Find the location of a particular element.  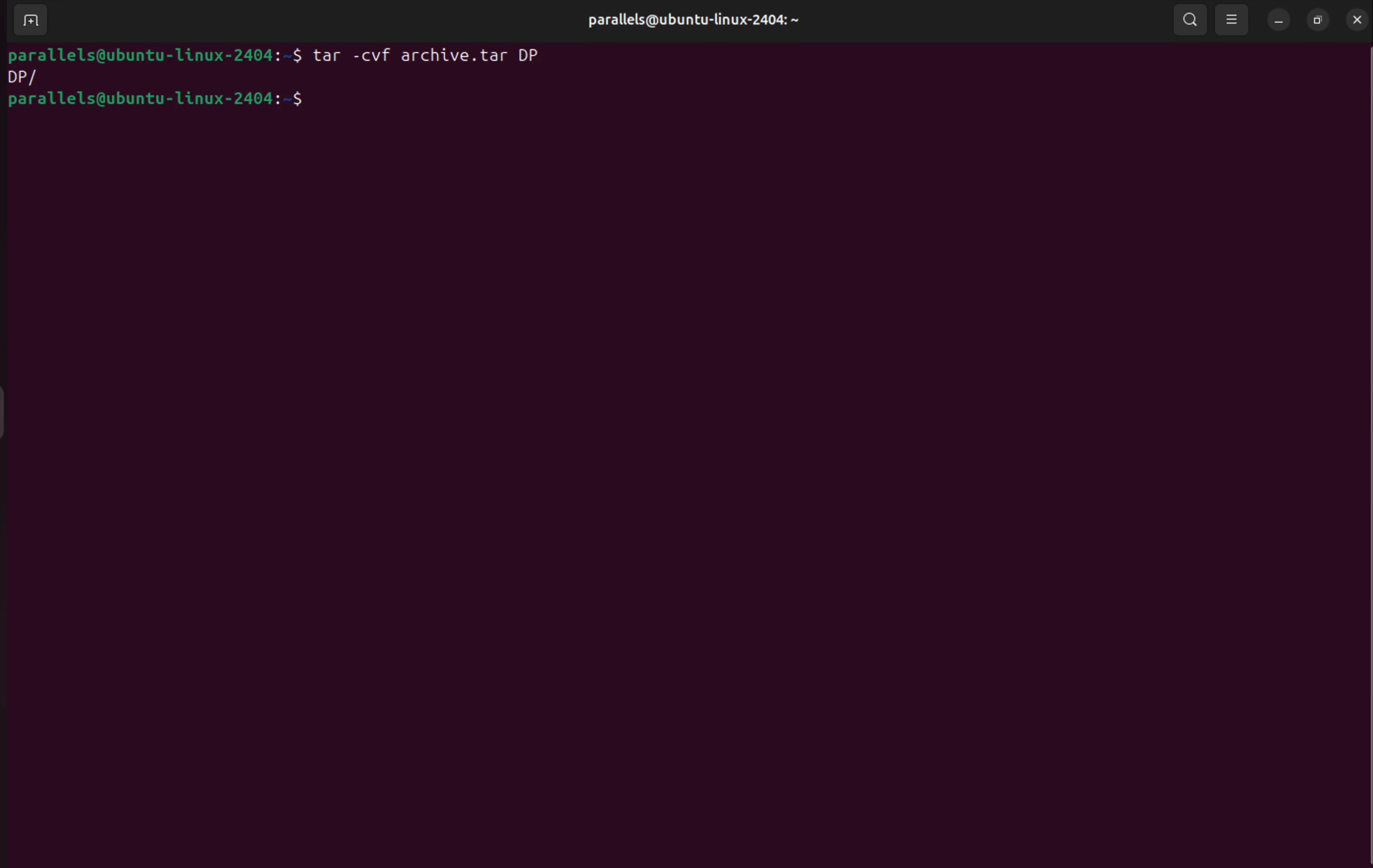

search bars is located at coordinates (1189, 18).